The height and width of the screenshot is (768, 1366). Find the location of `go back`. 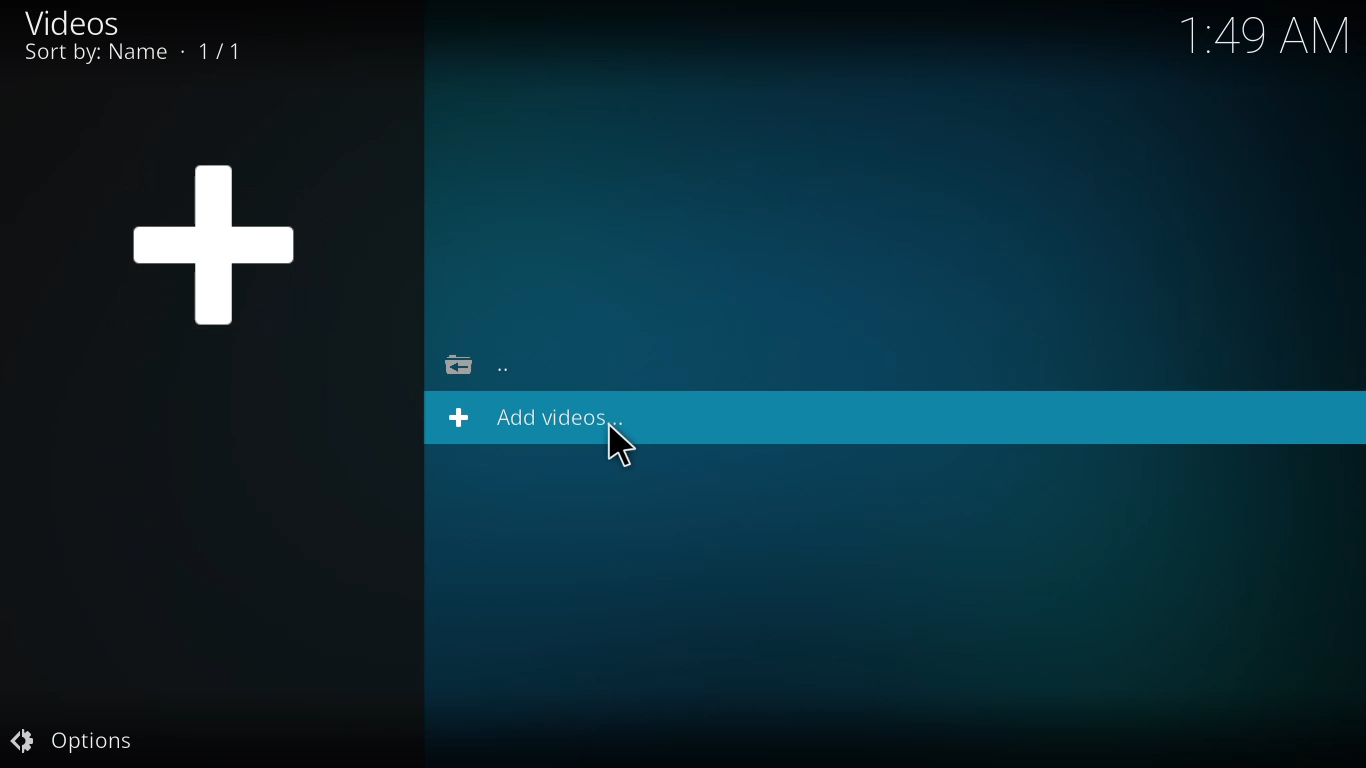

go back is located at coordinates (481, 364).